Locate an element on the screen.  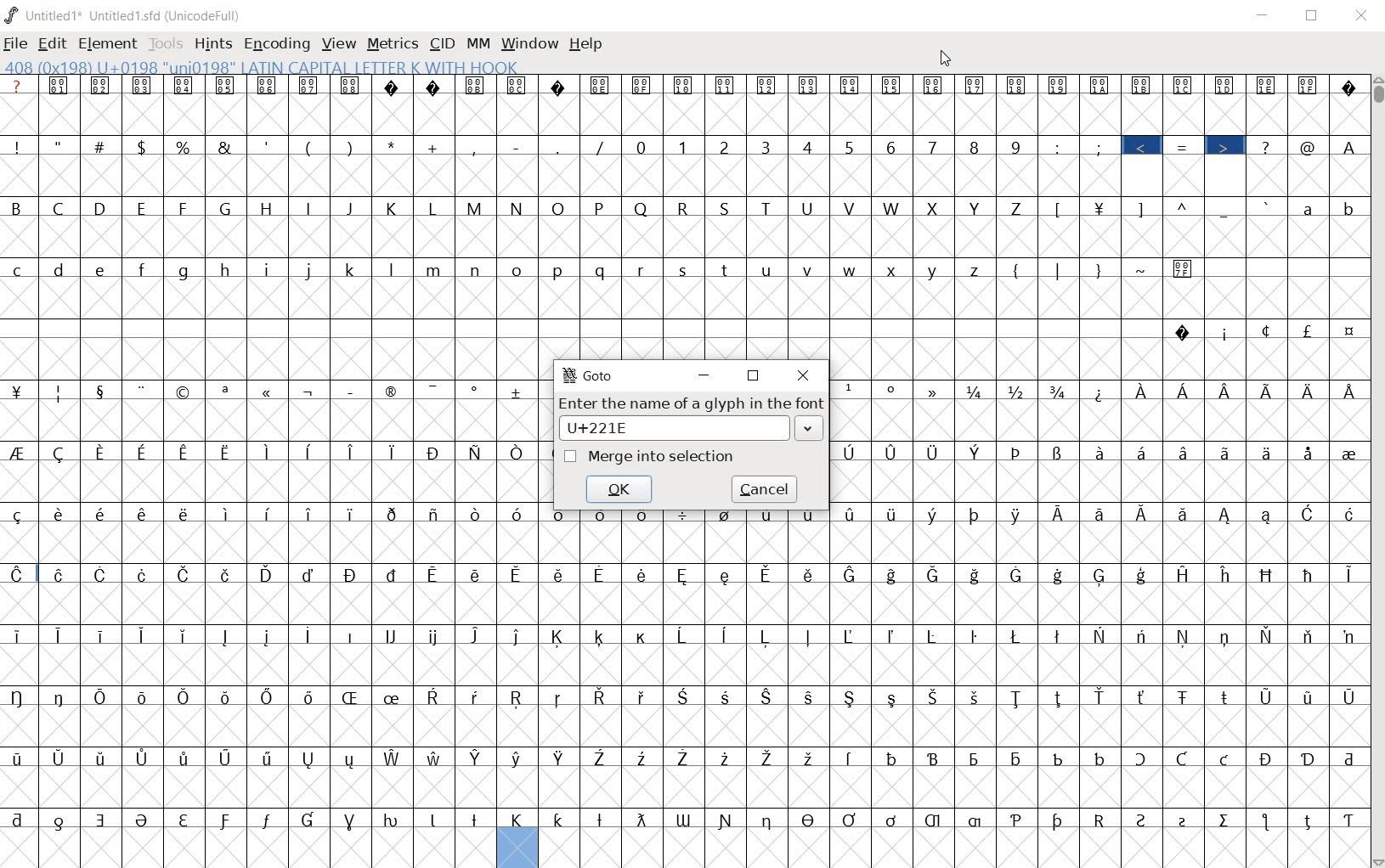
cid is located at coordinates (442, 45).